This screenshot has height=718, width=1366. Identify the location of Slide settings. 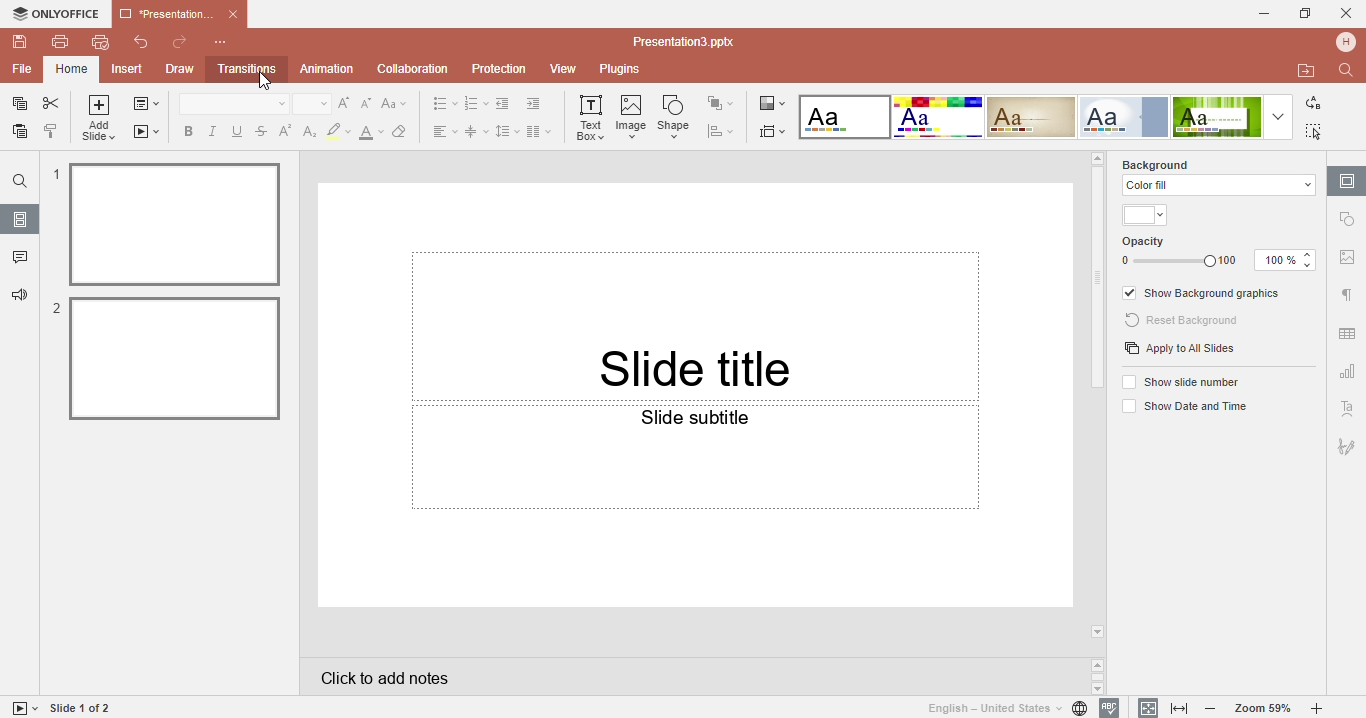
(1347, 180).